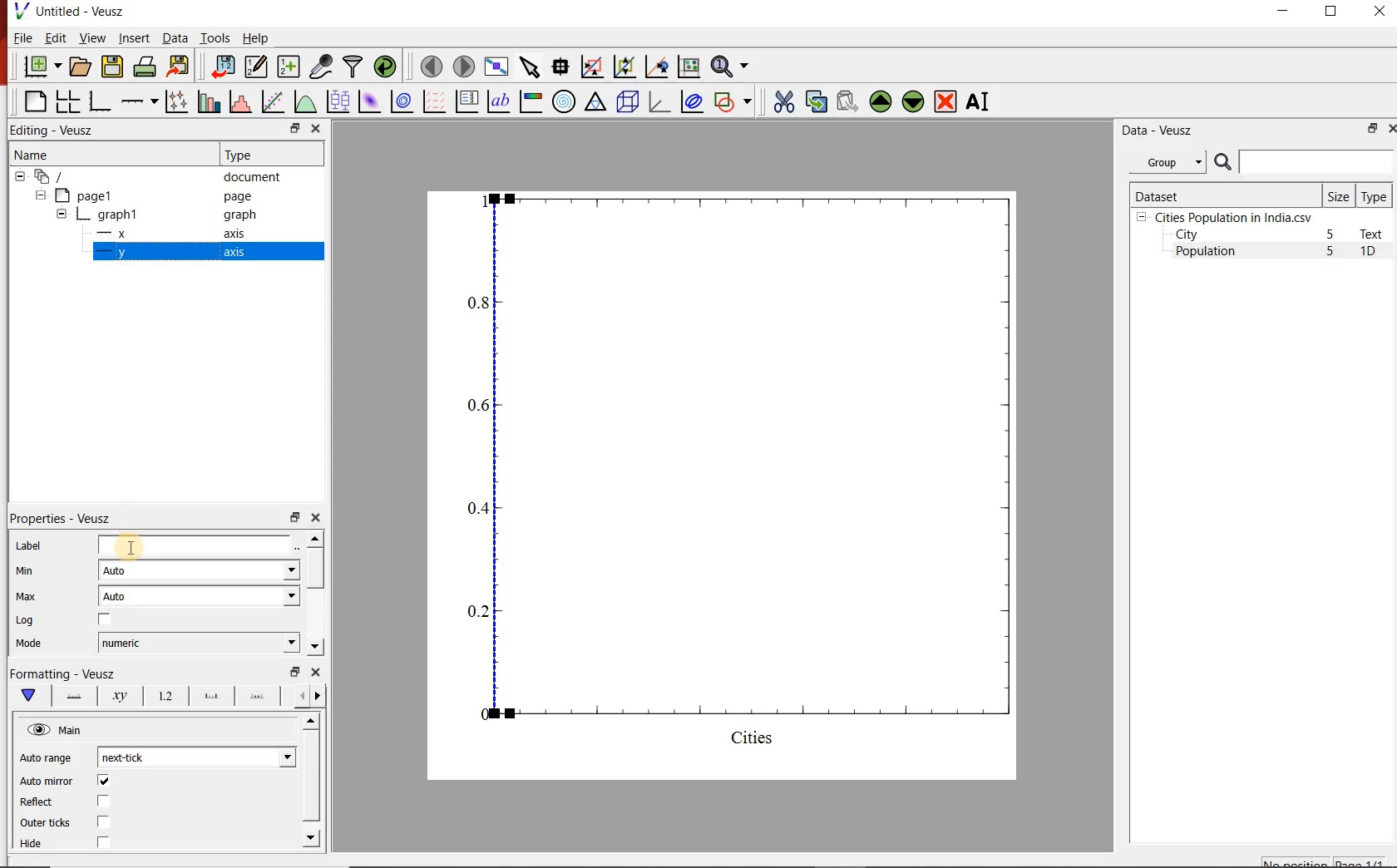 The height and width of the screenshot is (868, 1397). Describe the element at coordinates (743, 481) in the screenshot. I see `graph1` at that location.